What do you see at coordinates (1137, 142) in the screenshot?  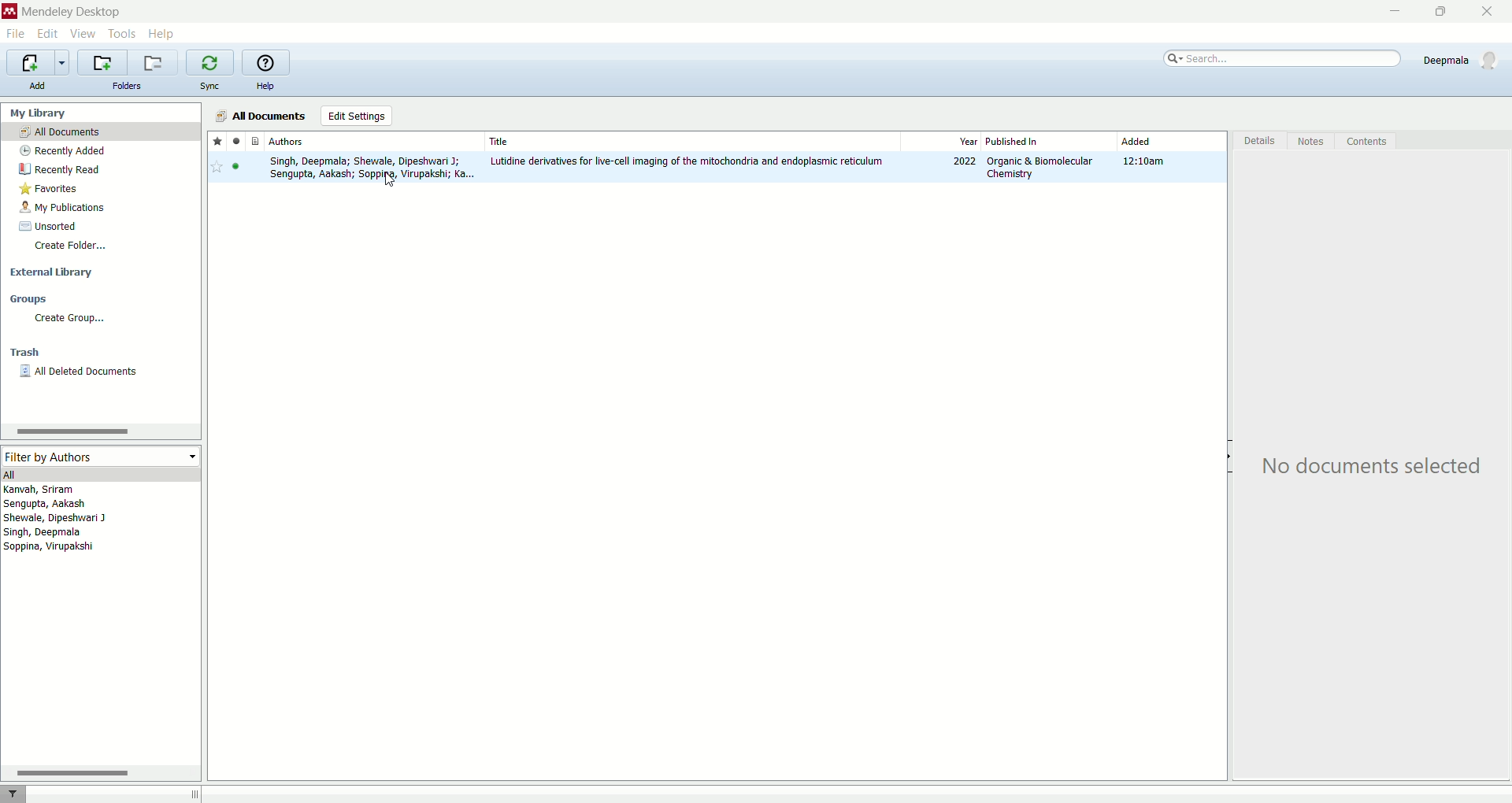 I see `added` at bounding box center [1137, 142].